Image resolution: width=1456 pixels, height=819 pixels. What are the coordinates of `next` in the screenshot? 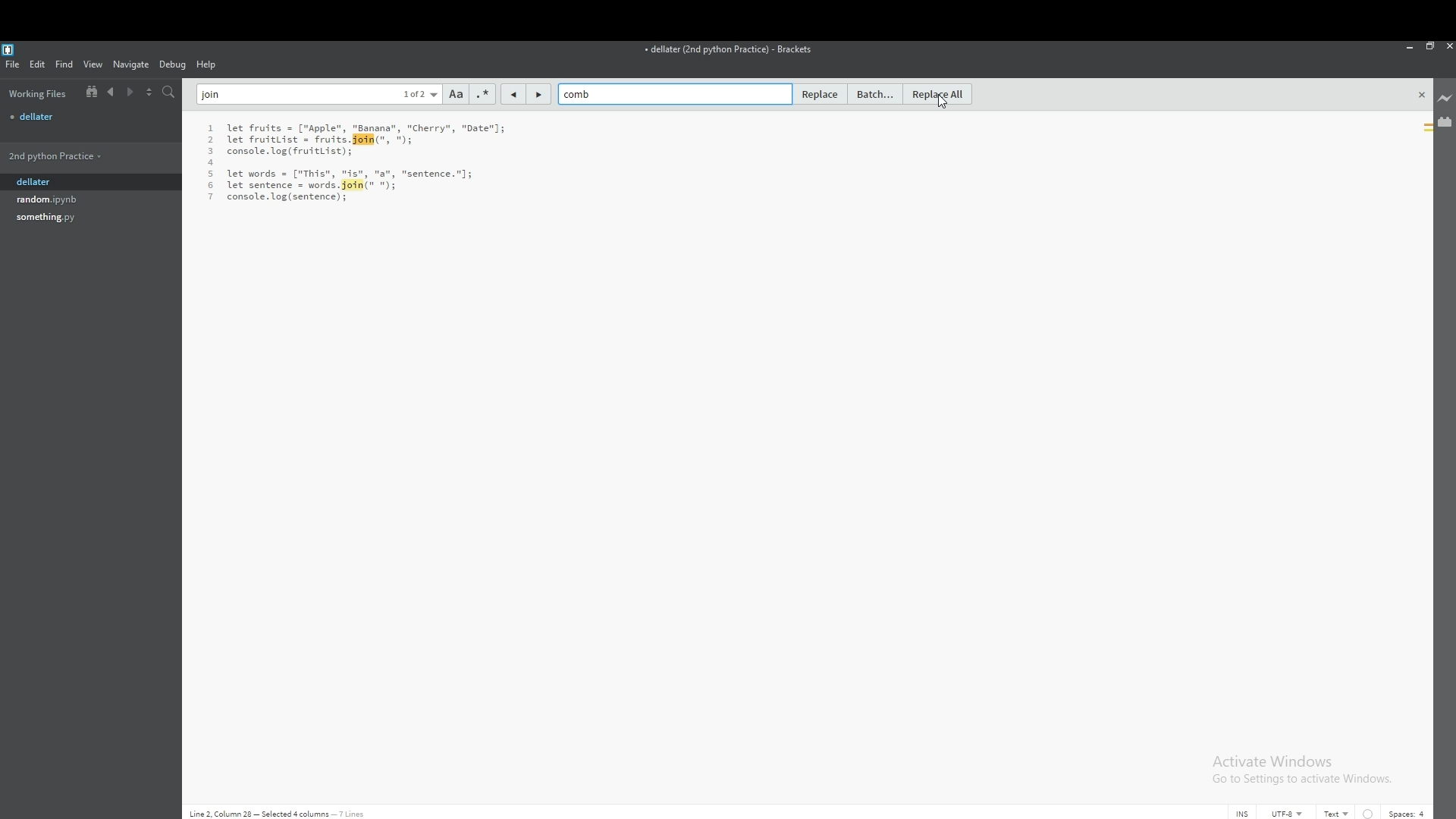 It's located at (130, 93).